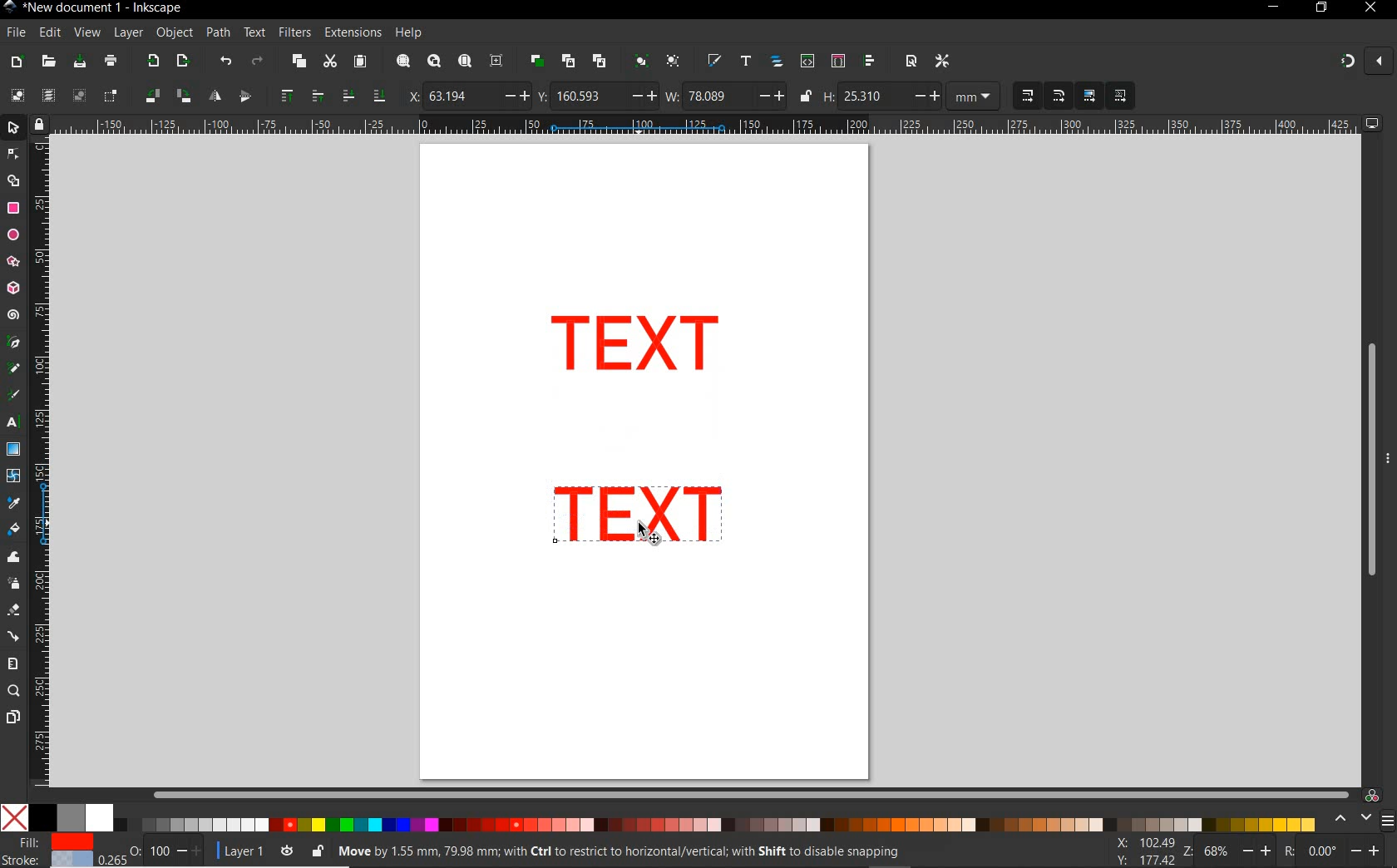 The height and width of the screenshot is (868, 1397). Describe the element at coordinates (317, 850) in the screenshot. I see `lock/unlock current layer` at that location.